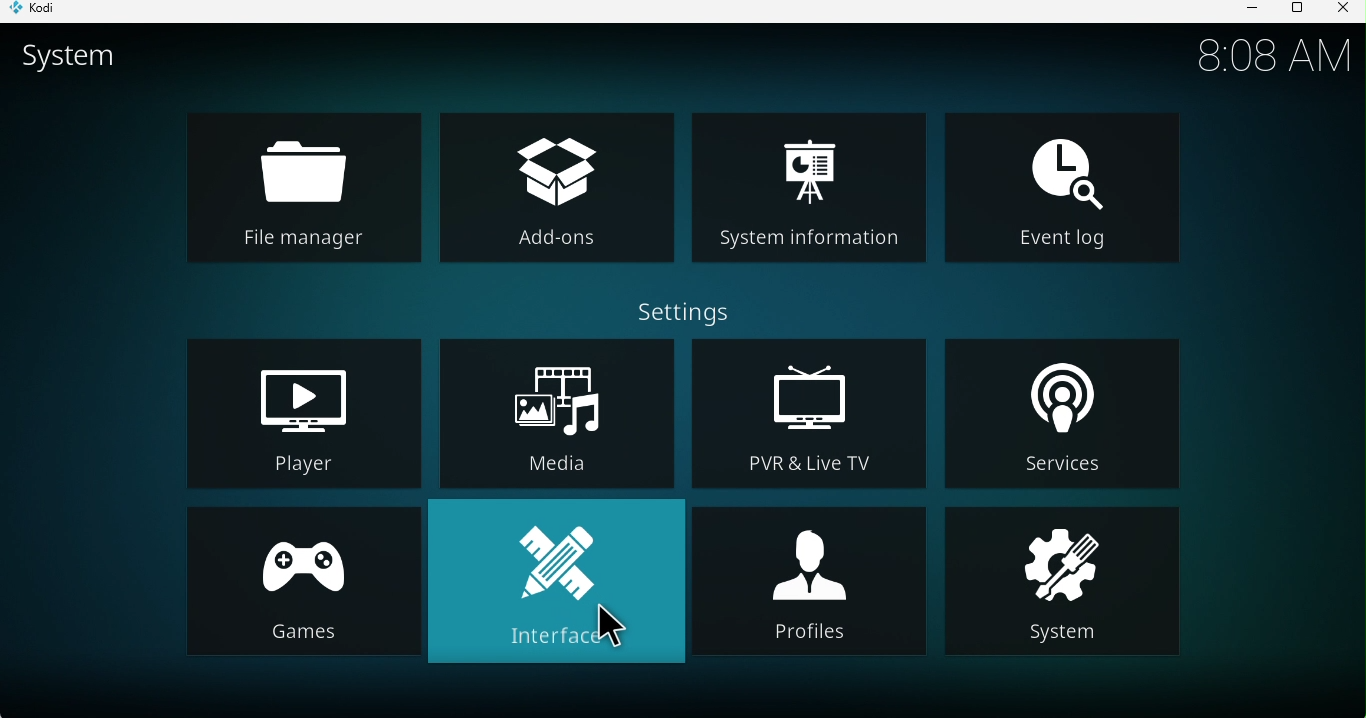 Image resolution: width=1366 pixels, height=718 pixels. What do you see at coordinates (300, 417) in the screenshot?
I see `Player` at bounding box center [300, 417].